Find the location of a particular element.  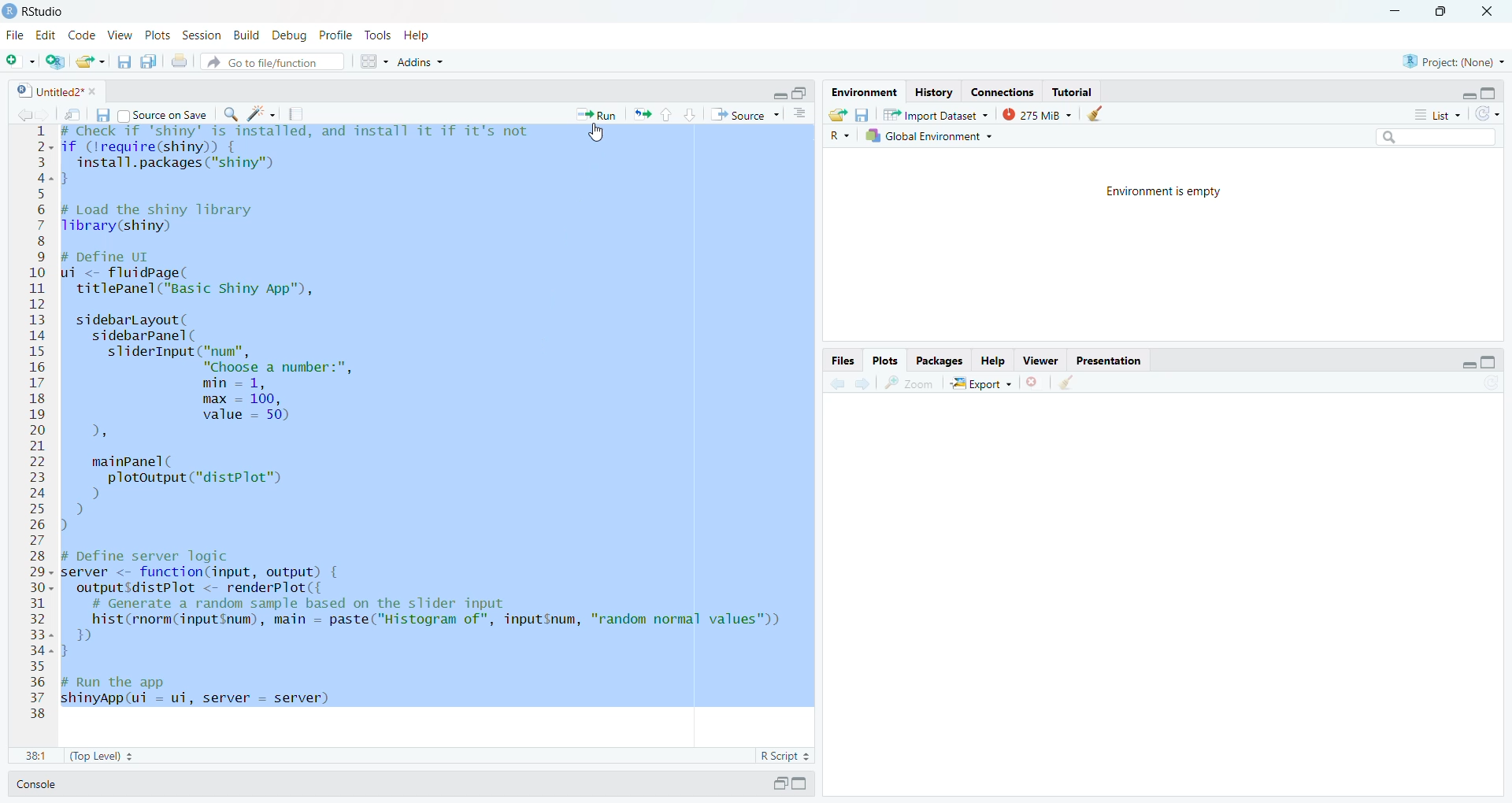

minimize is located at coordinates (779, 95).